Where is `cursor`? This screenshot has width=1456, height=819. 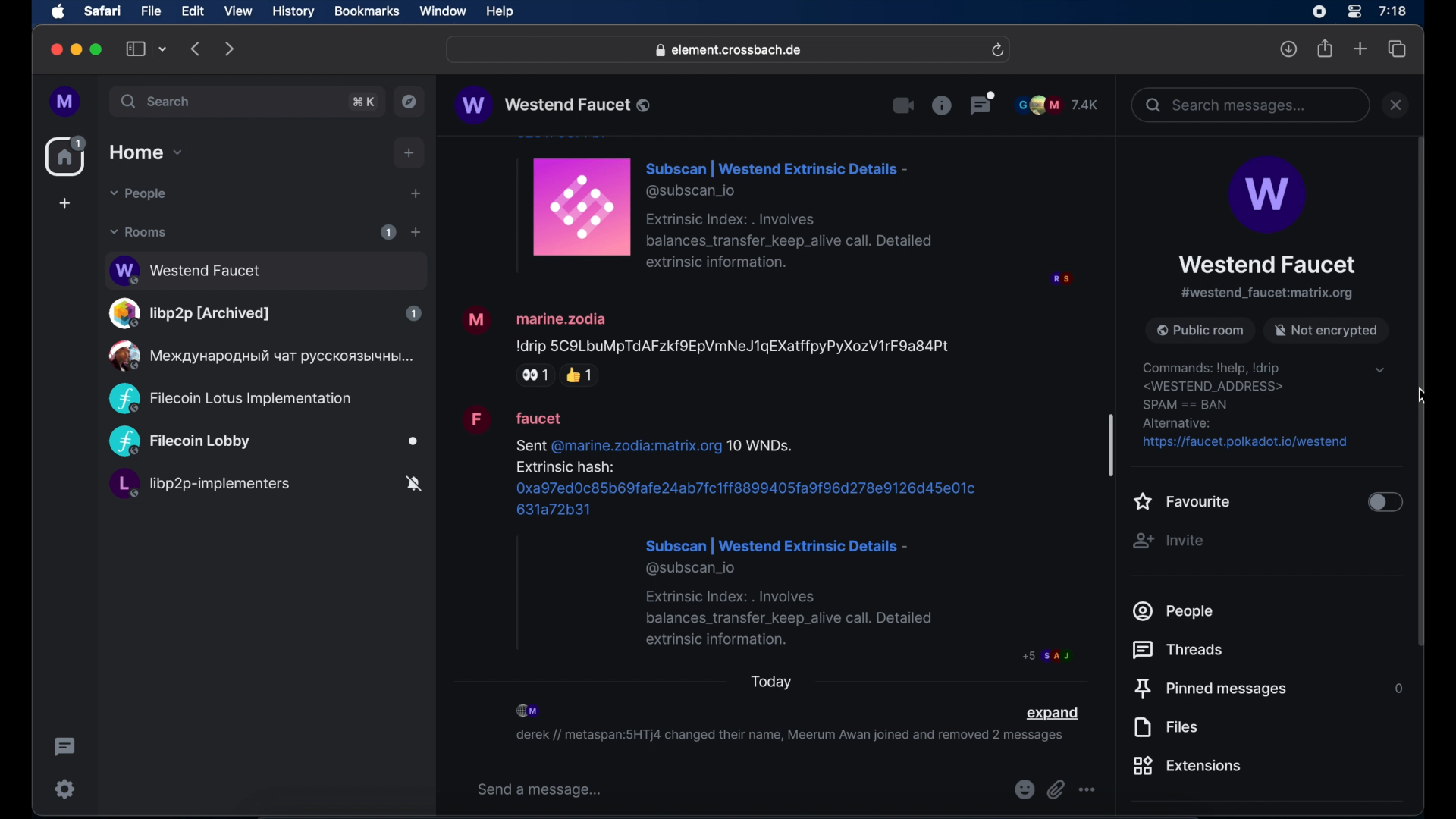
cursor is located at coordinates (1418, 397).